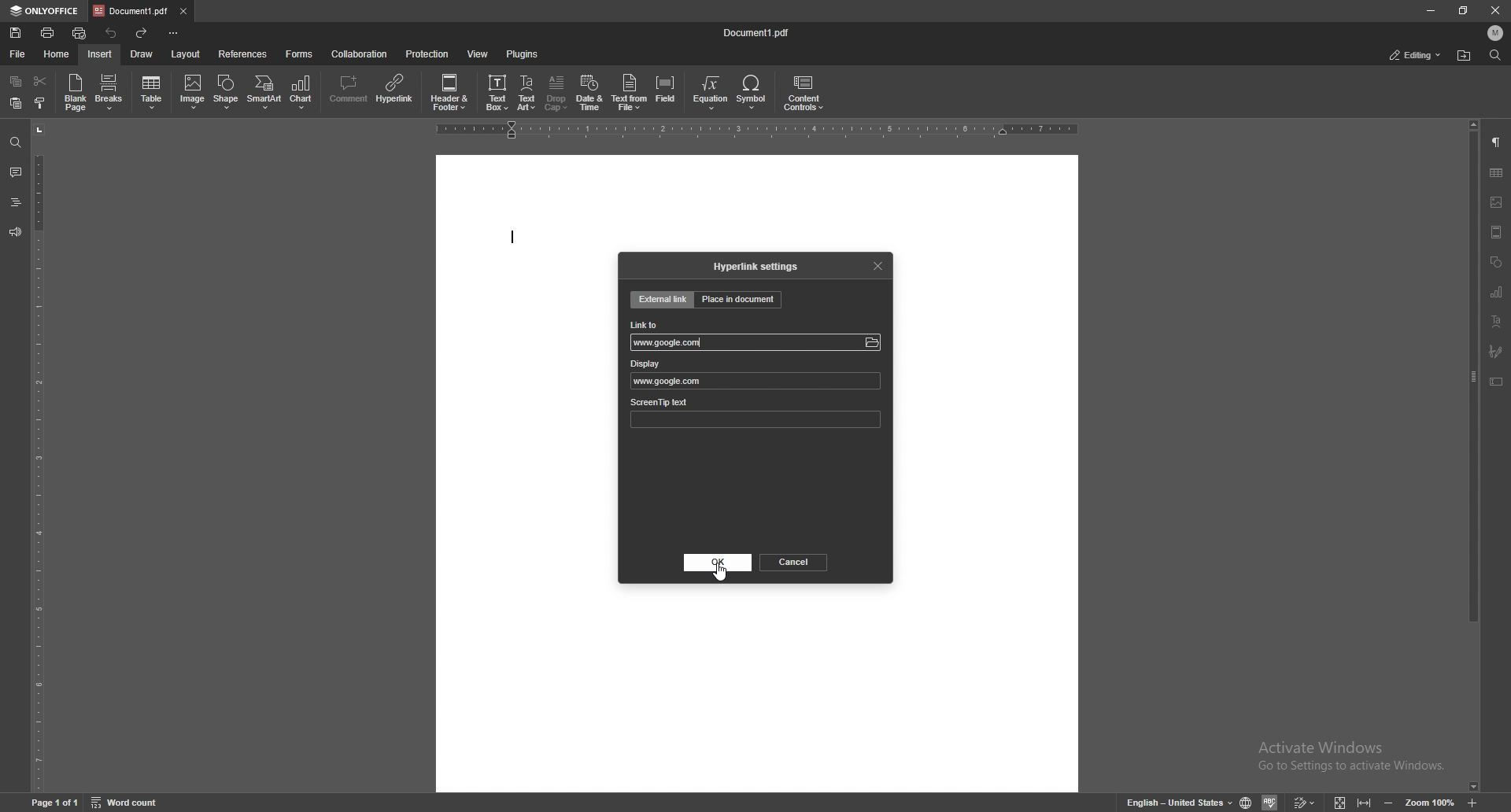 This screenshot has height=812, width=1511. What do you see at coordinates (57, 803) in the screenshot?
I see `page 1 of 1` at bounding box center [57, 803].